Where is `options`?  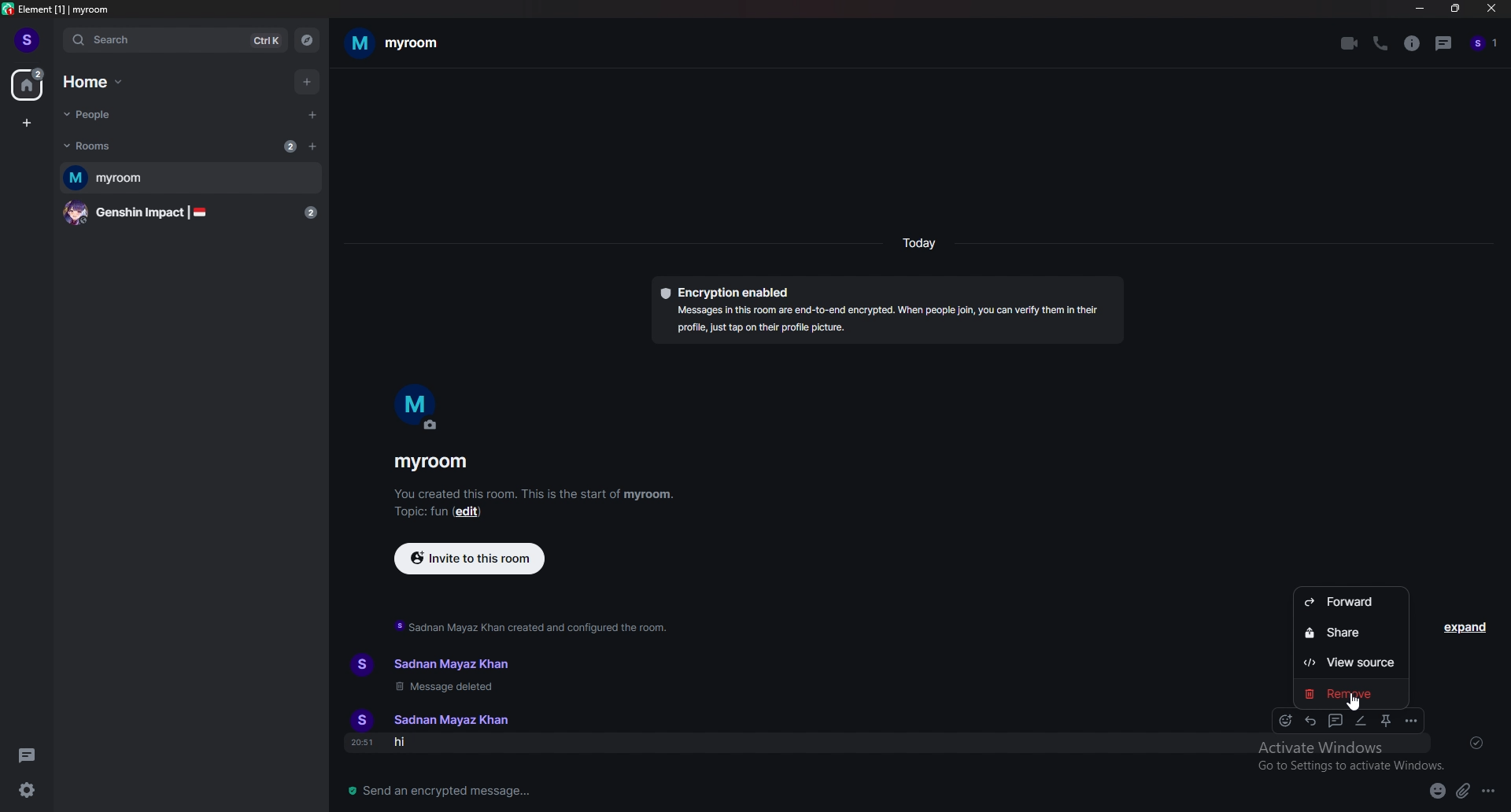 options is located at coordinates (1491, 790).